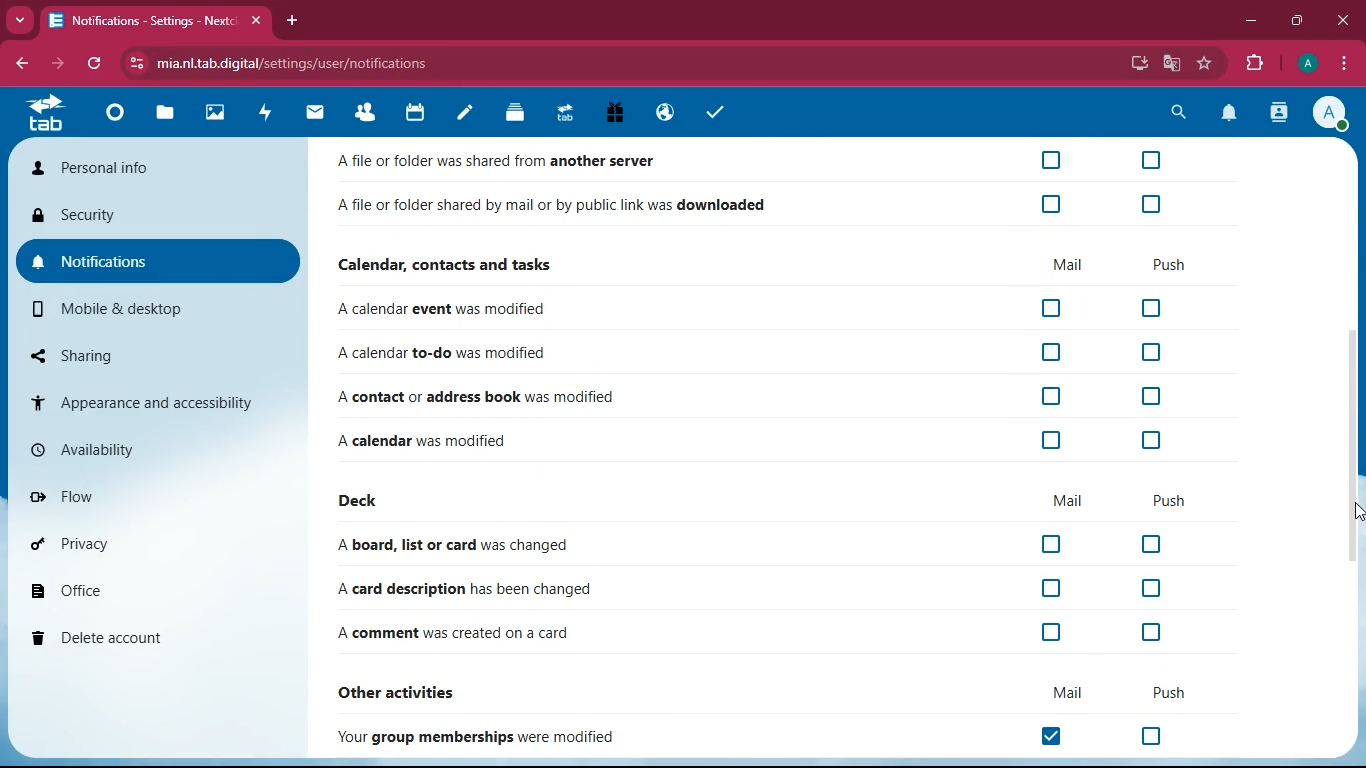  Describe the element at coordinates (616, 115) in the screenshot. I see `gift` at that location.